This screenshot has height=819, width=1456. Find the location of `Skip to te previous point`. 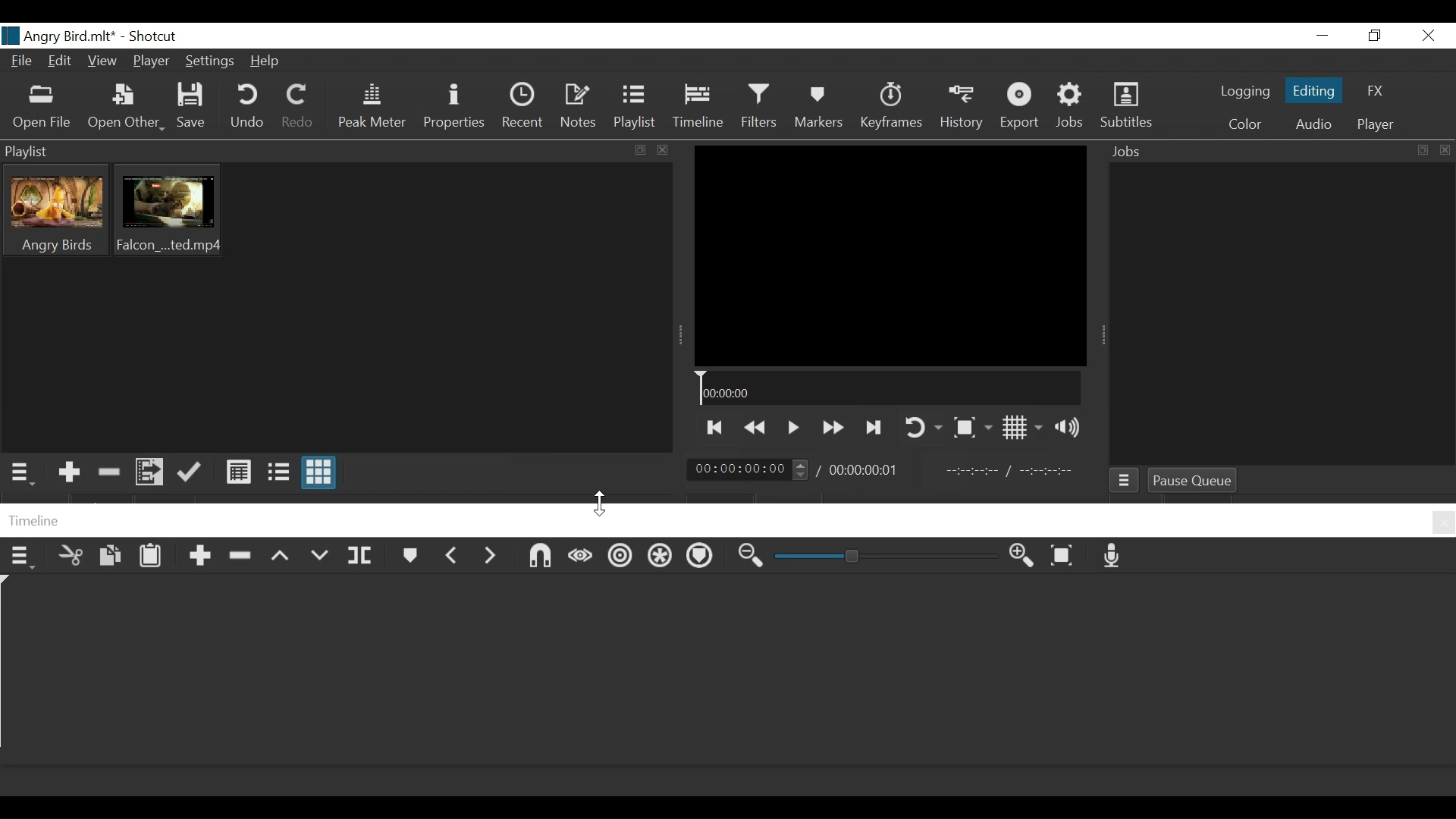

Skip to te previous point is located at coordinates (713, 428).